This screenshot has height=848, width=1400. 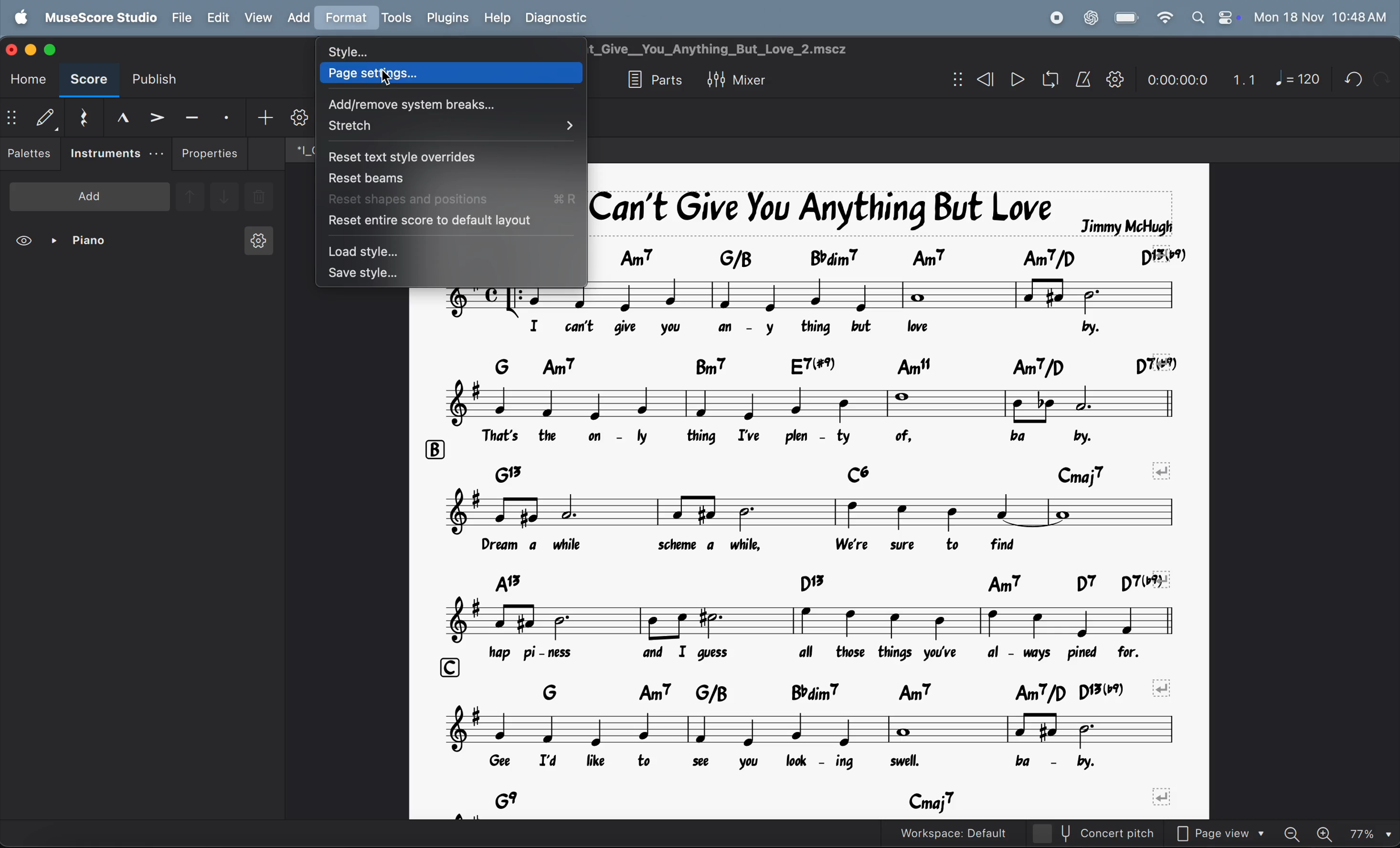 What do you see at coordinates (1034, 81) in the screenshot?
I see `loop playback` at bounding box center [1034, 81].